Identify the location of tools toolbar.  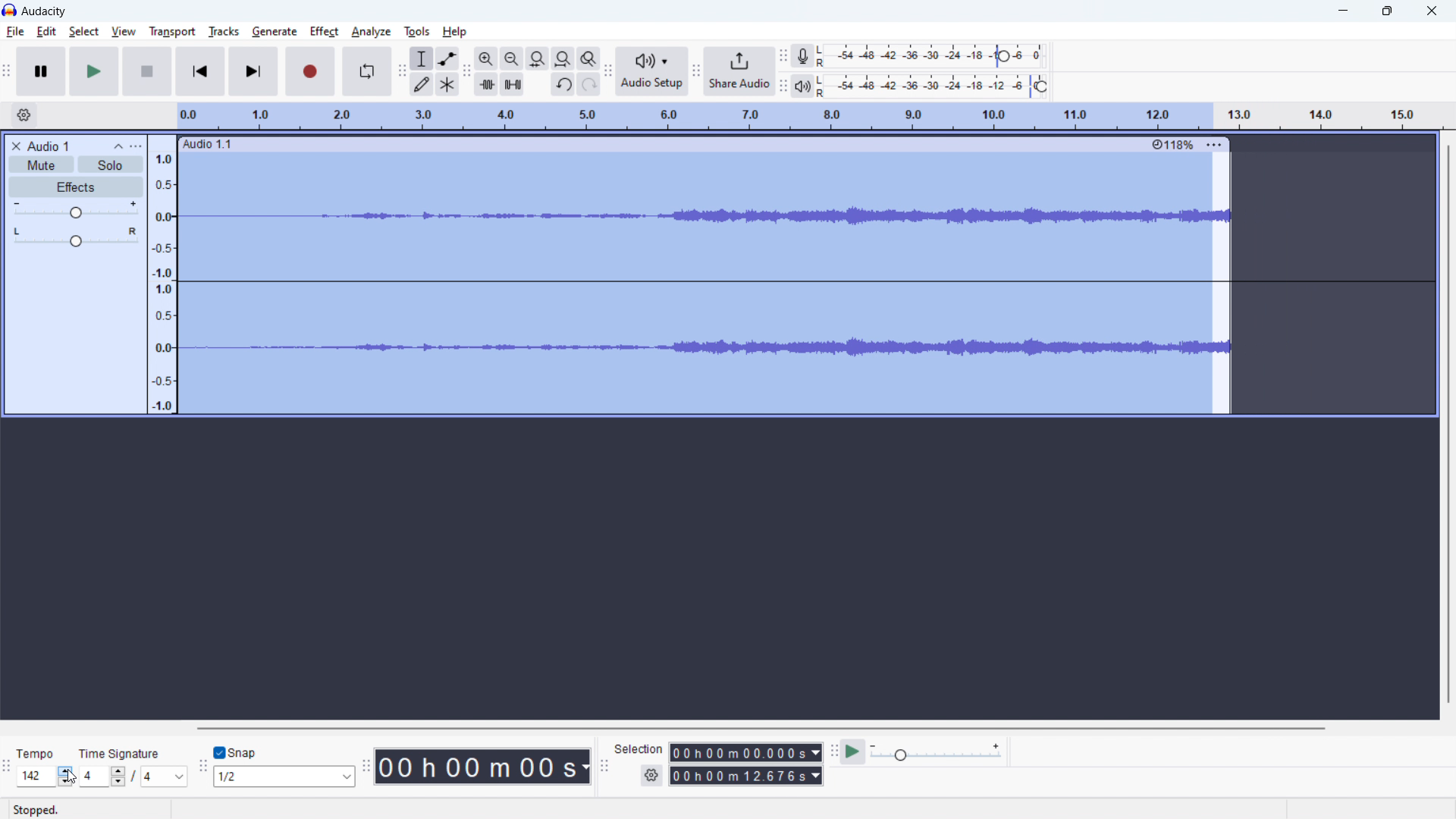
(402, 72).